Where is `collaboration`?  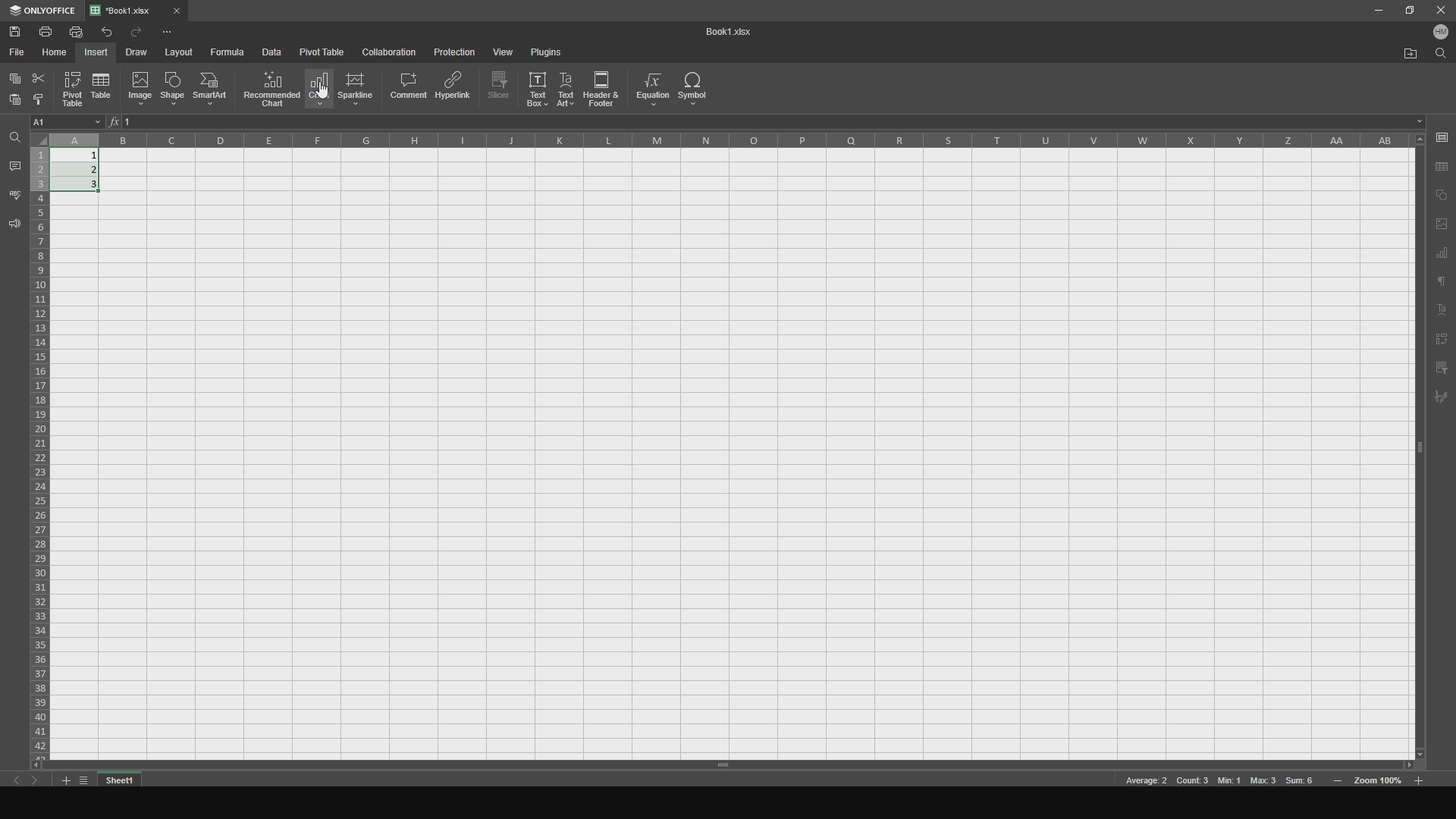
collaboration is located at coordinates (391, 52).